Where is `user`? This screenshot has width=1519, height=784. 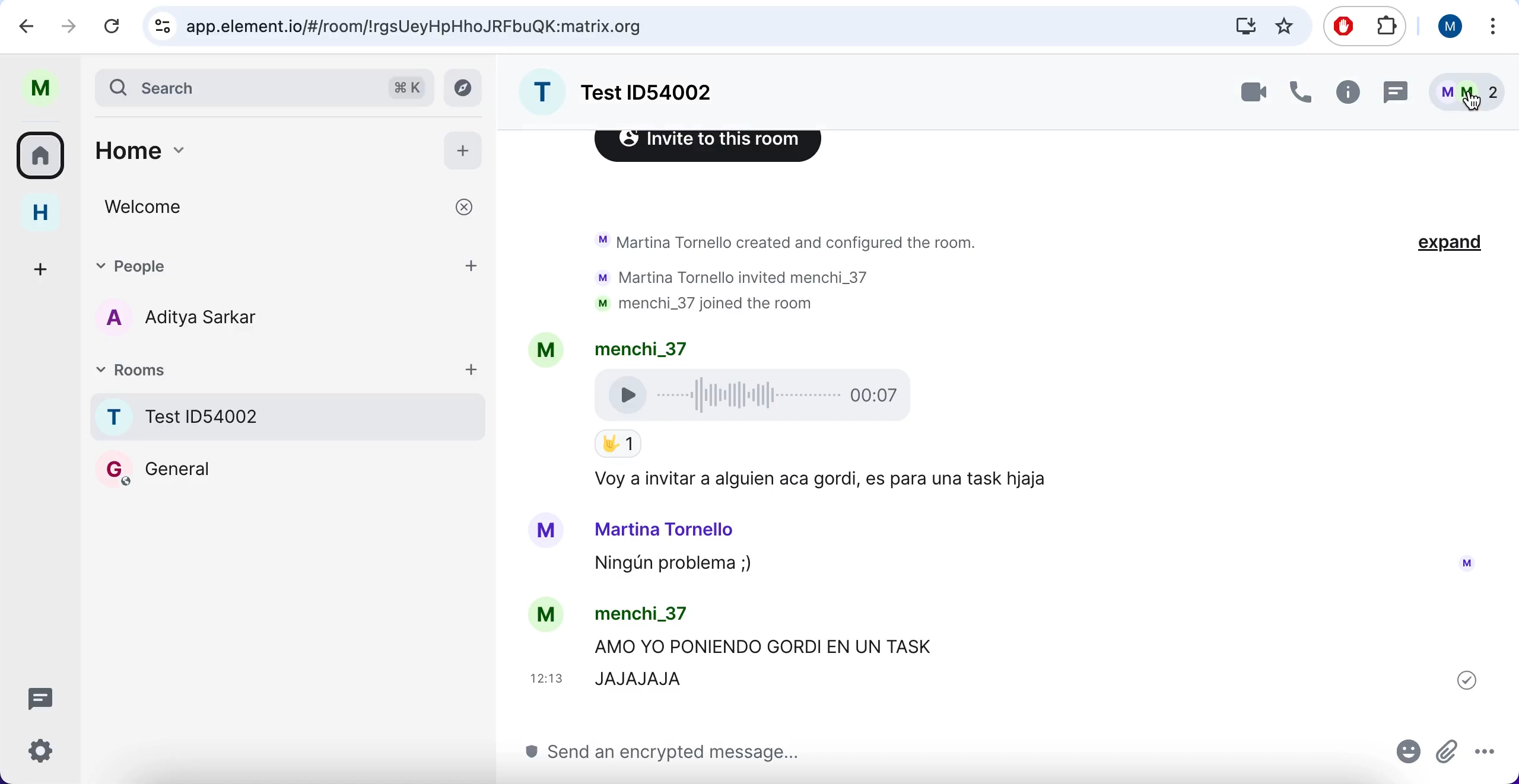
user is located at coordinates (46, 88).